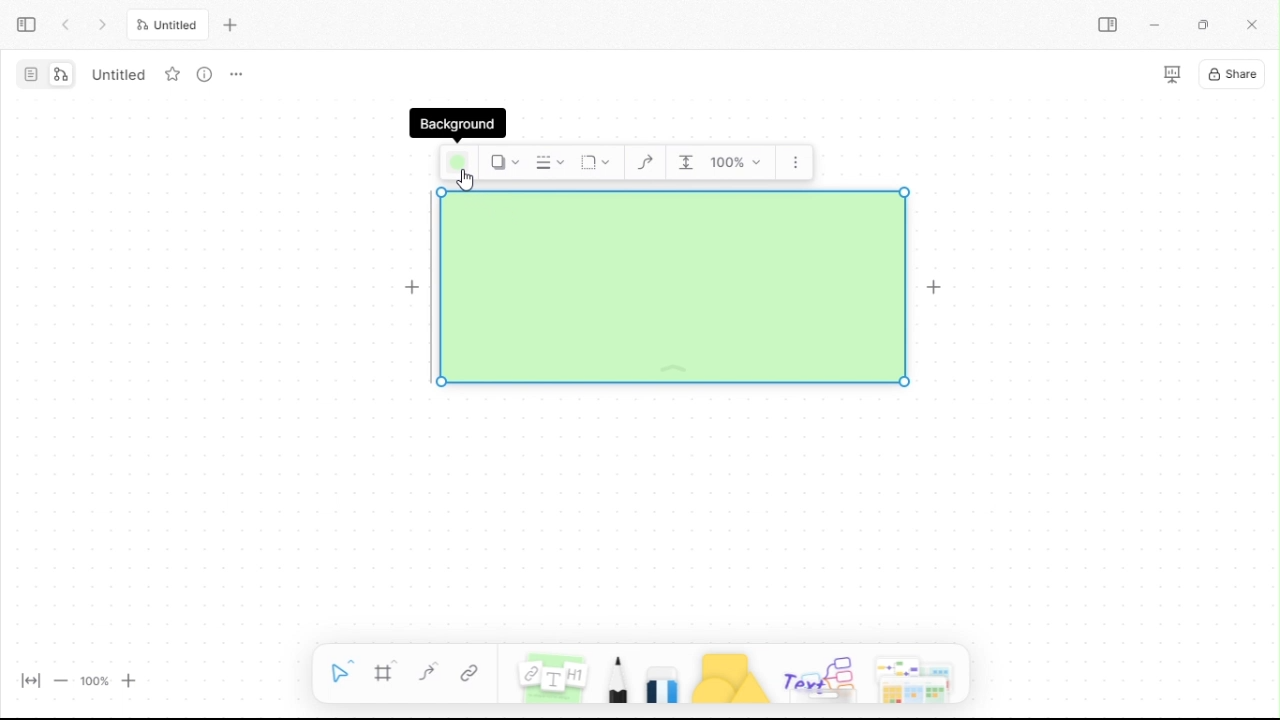 The height and width of the screenshot is (720, 1280). Describe the element at coordinates (172, 73) in the screenshot. I see `favourite` at that location.